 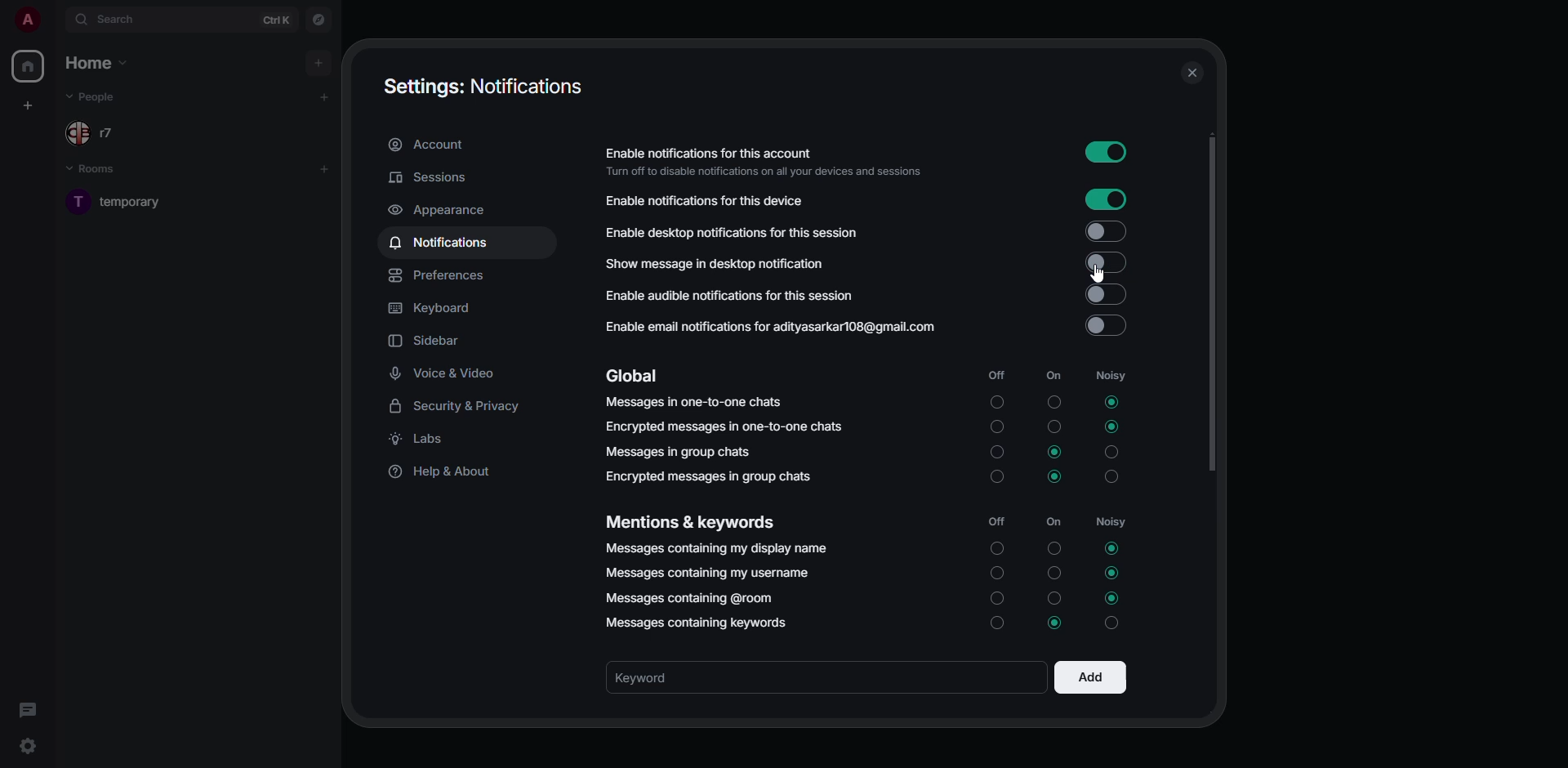 I want to click on scroll bar, so click(x=1209, y=306).